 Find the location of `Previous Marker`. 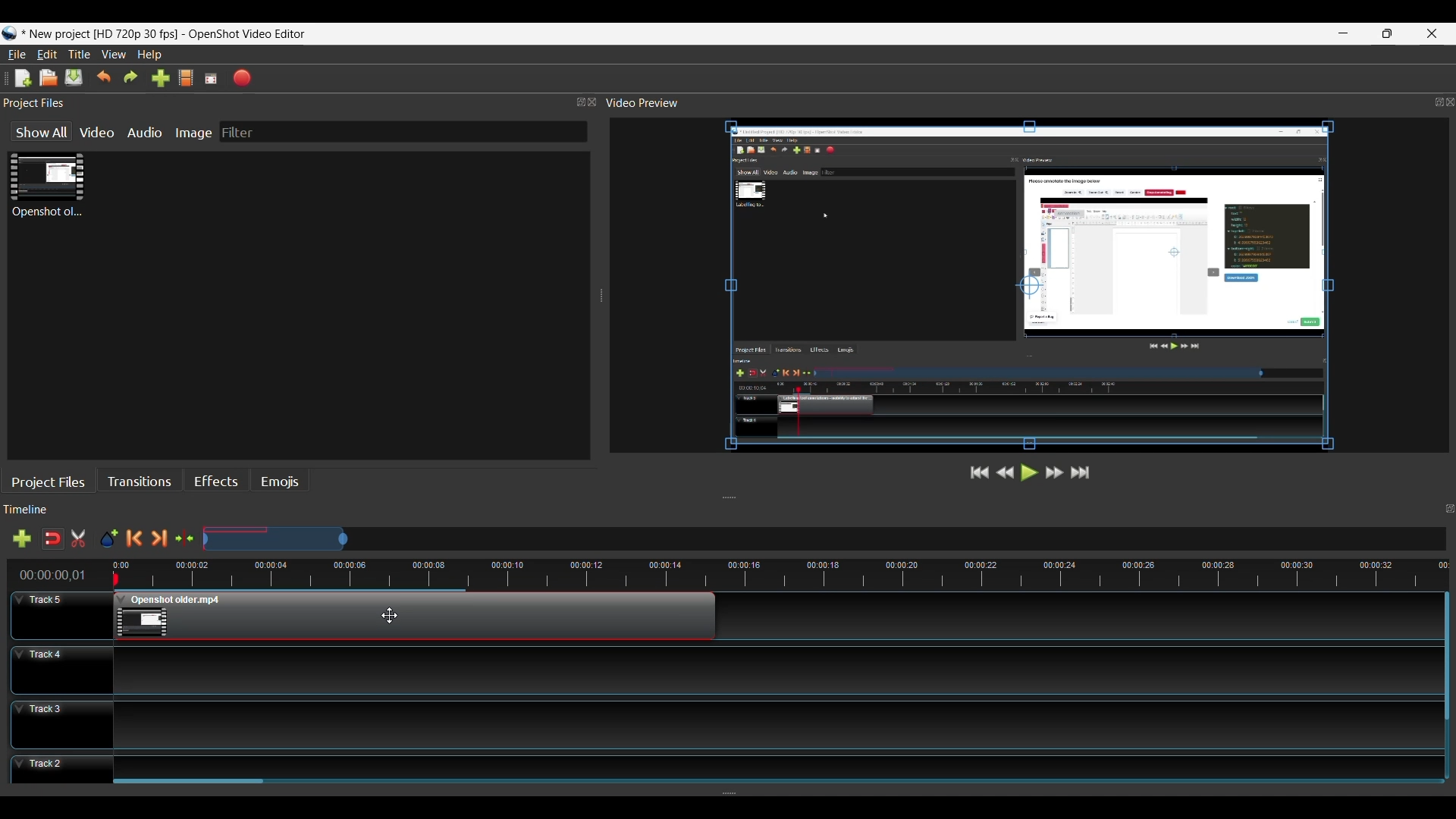

Previous Marker is located at coordinates (134, 539).